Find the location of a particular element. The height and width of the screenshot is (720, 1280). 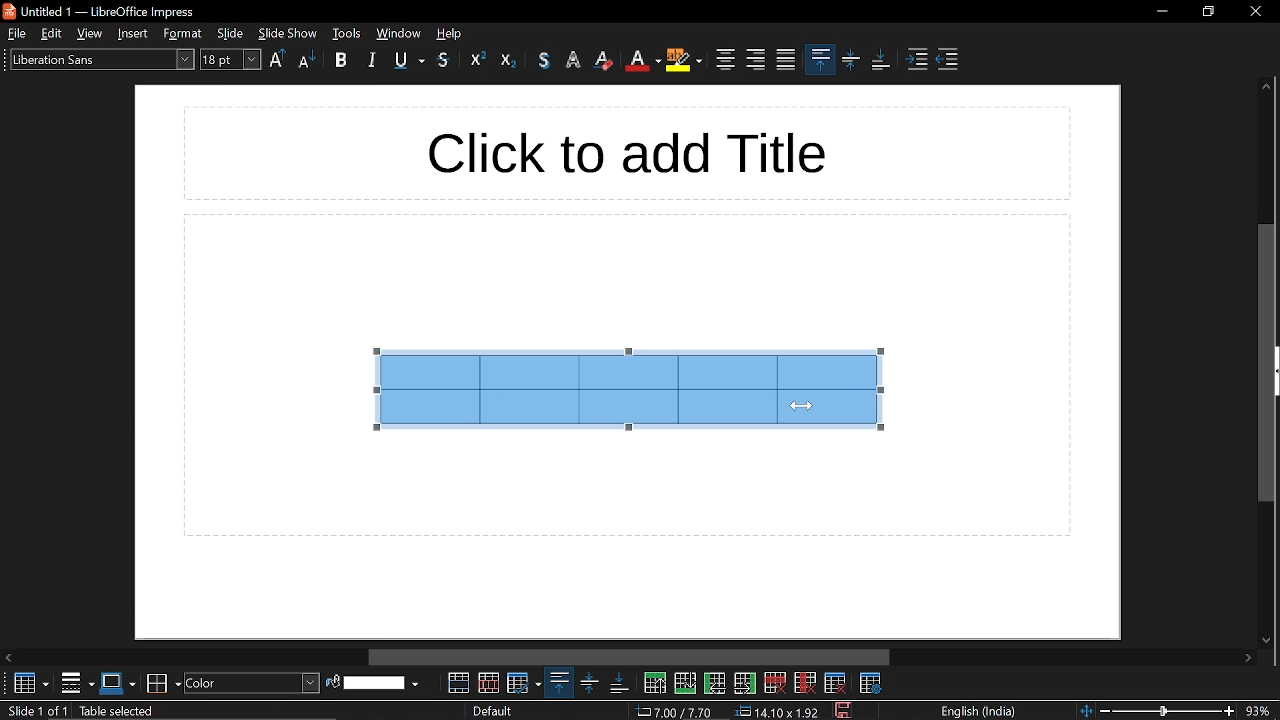

font size is located at coordinates (231, 59).